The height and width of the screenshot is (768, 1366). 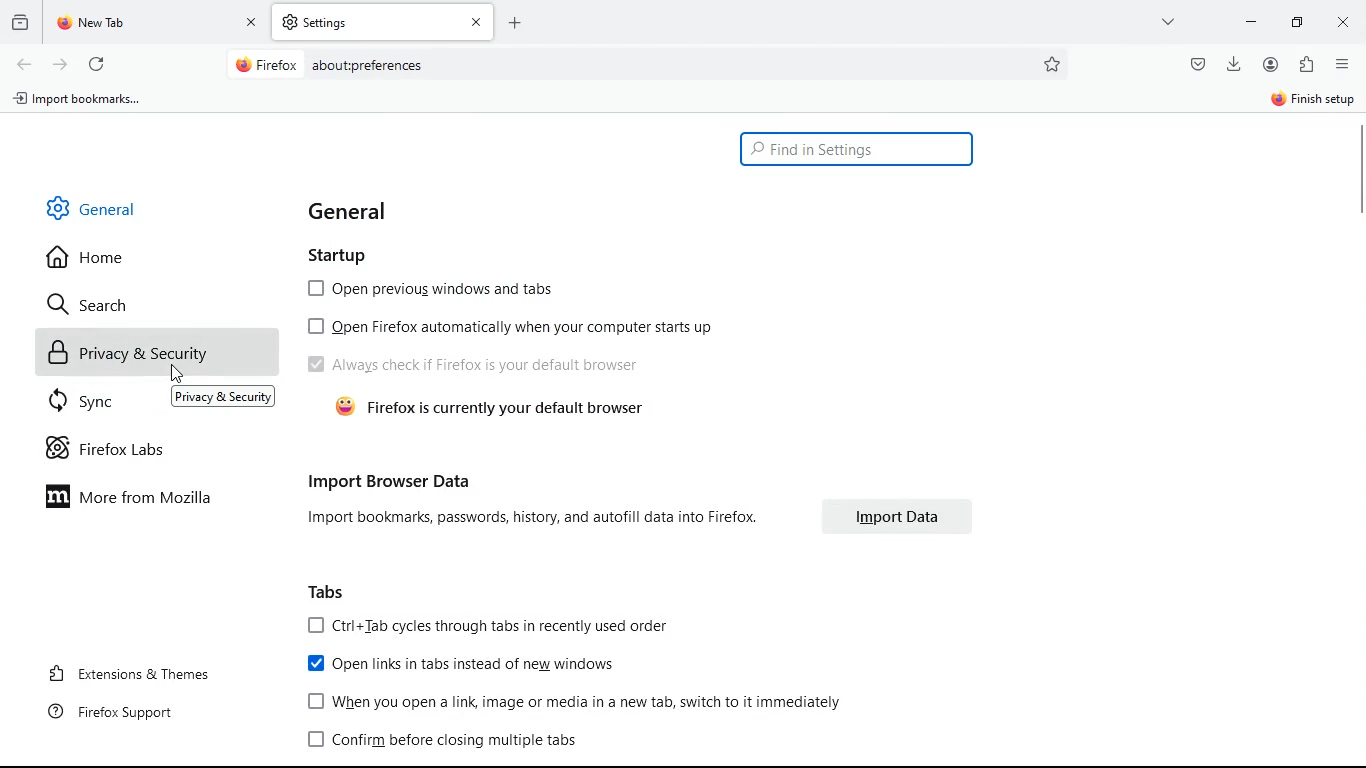 What do you see at coordinates (533, 517) in the screenshot?
I see `Import bookmarks, passwords, history, and autofill data into Firefox.` at bounding box center [533, 517].